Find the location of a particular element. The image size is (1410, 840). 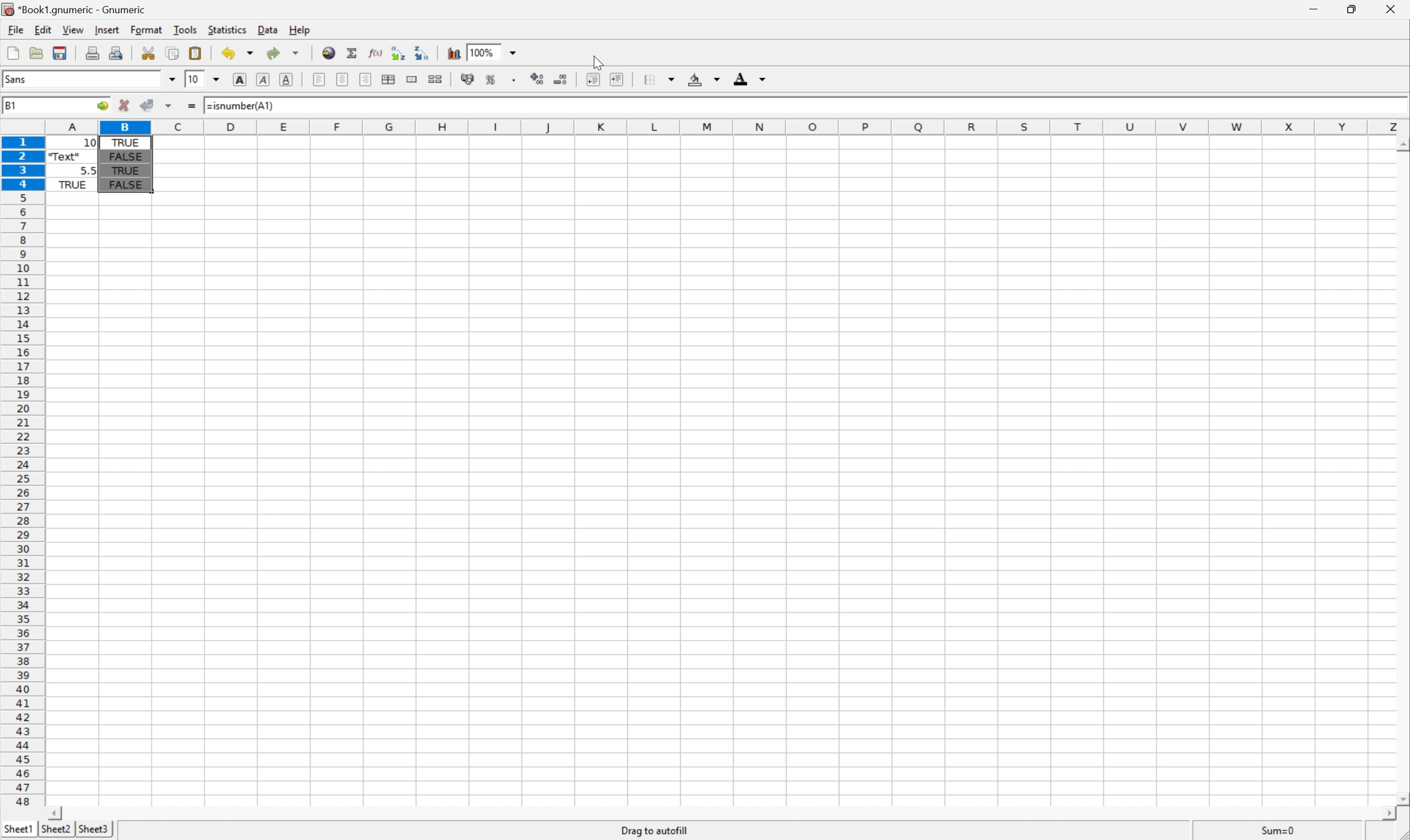

Cancel changes is located at coordinates (125, 106).